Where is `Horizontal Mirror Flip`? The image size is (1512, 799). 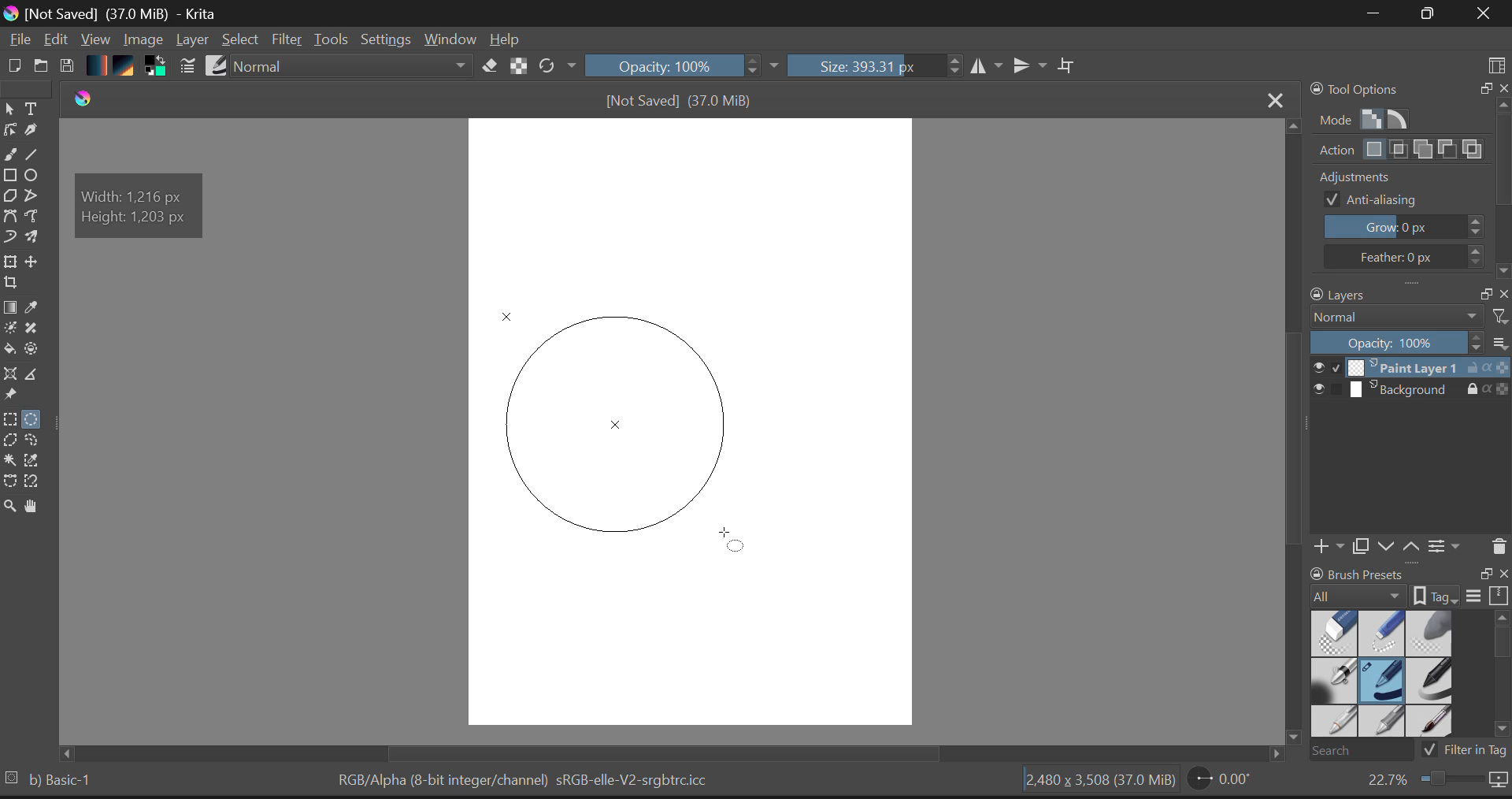
Horizontal Mirror Flip is located at coordinates (1033, 67).